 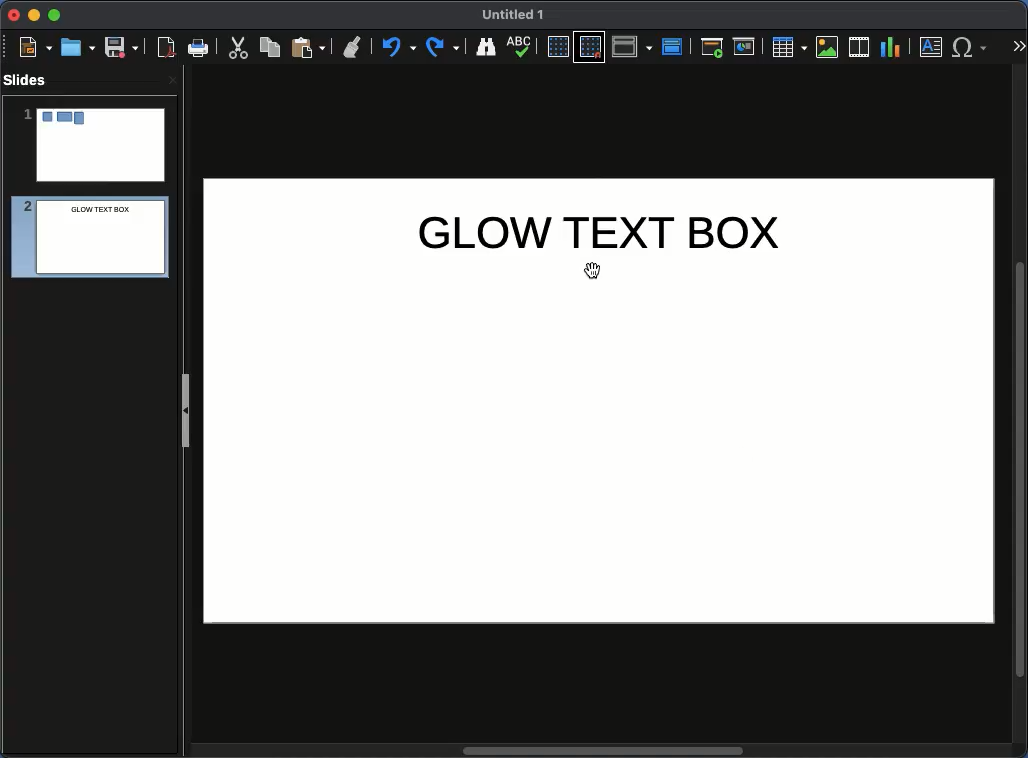 What do you see at coordinates (788, 46) in the screenshot?
I see `Table` at bounding box center [788, 46].